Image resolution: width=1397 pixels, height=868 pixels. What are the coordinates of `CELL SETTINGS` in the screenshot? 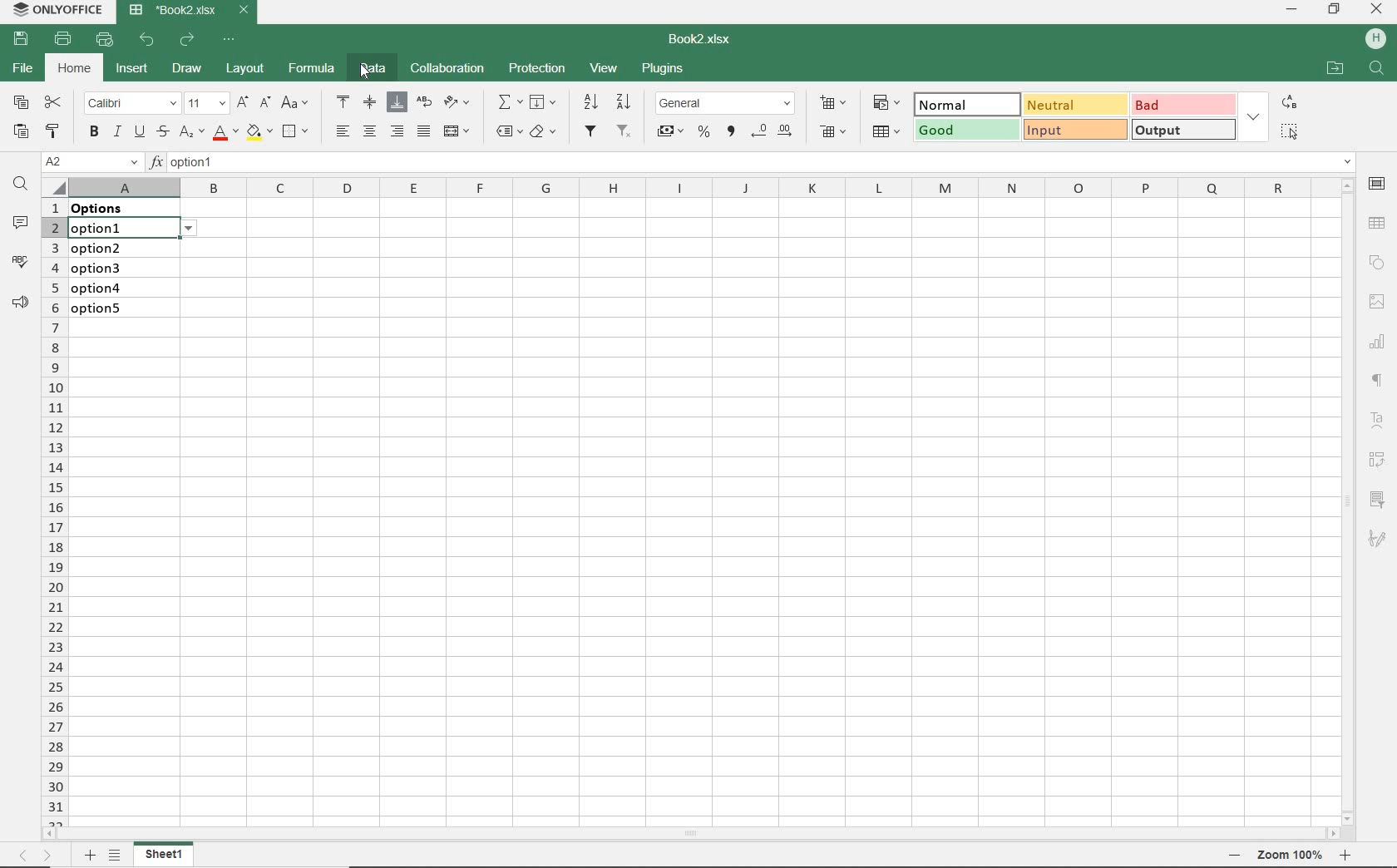 It's located at (1377, 185).